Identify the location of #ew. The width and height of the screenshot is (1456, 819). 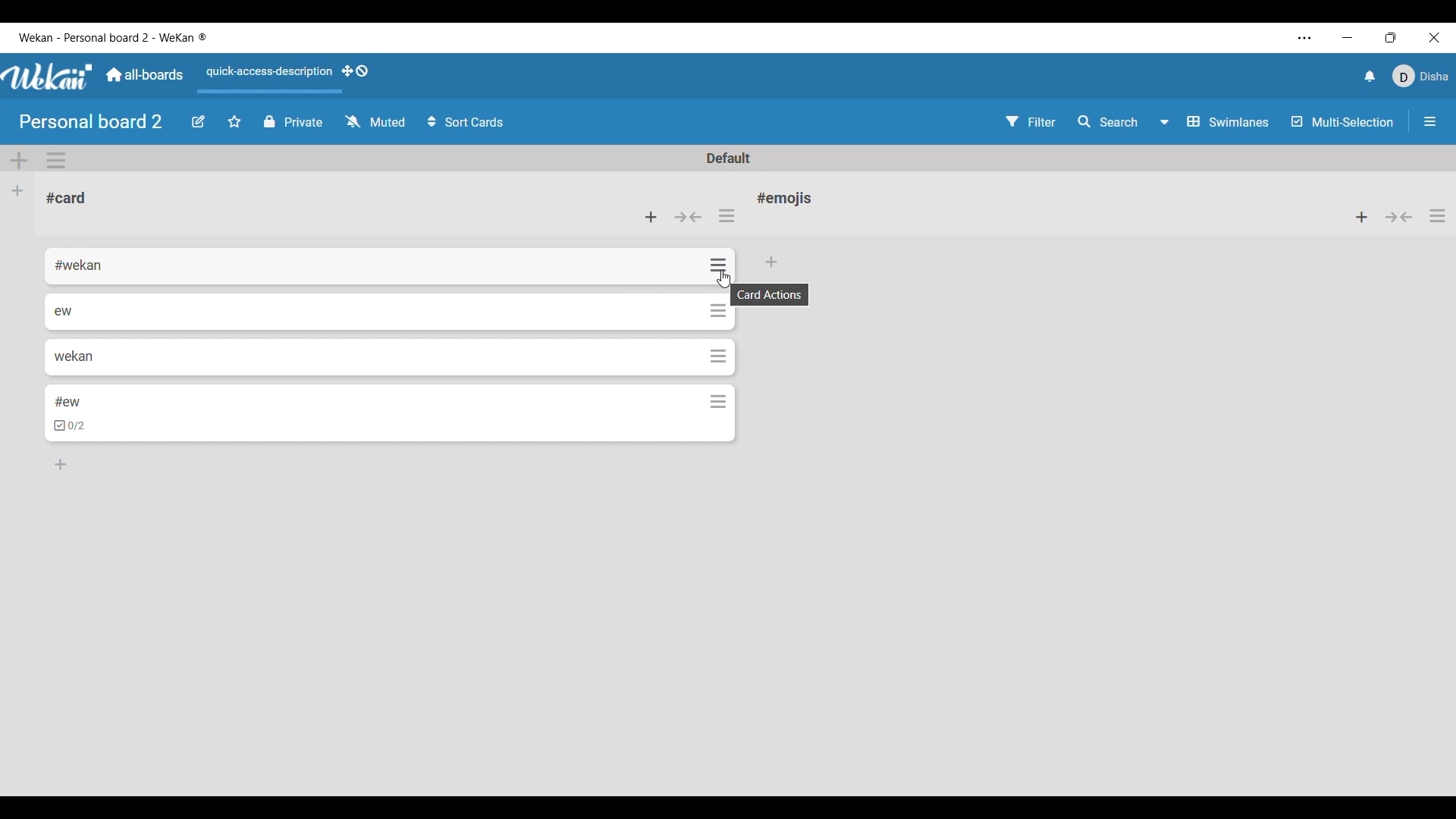
(68, 400).